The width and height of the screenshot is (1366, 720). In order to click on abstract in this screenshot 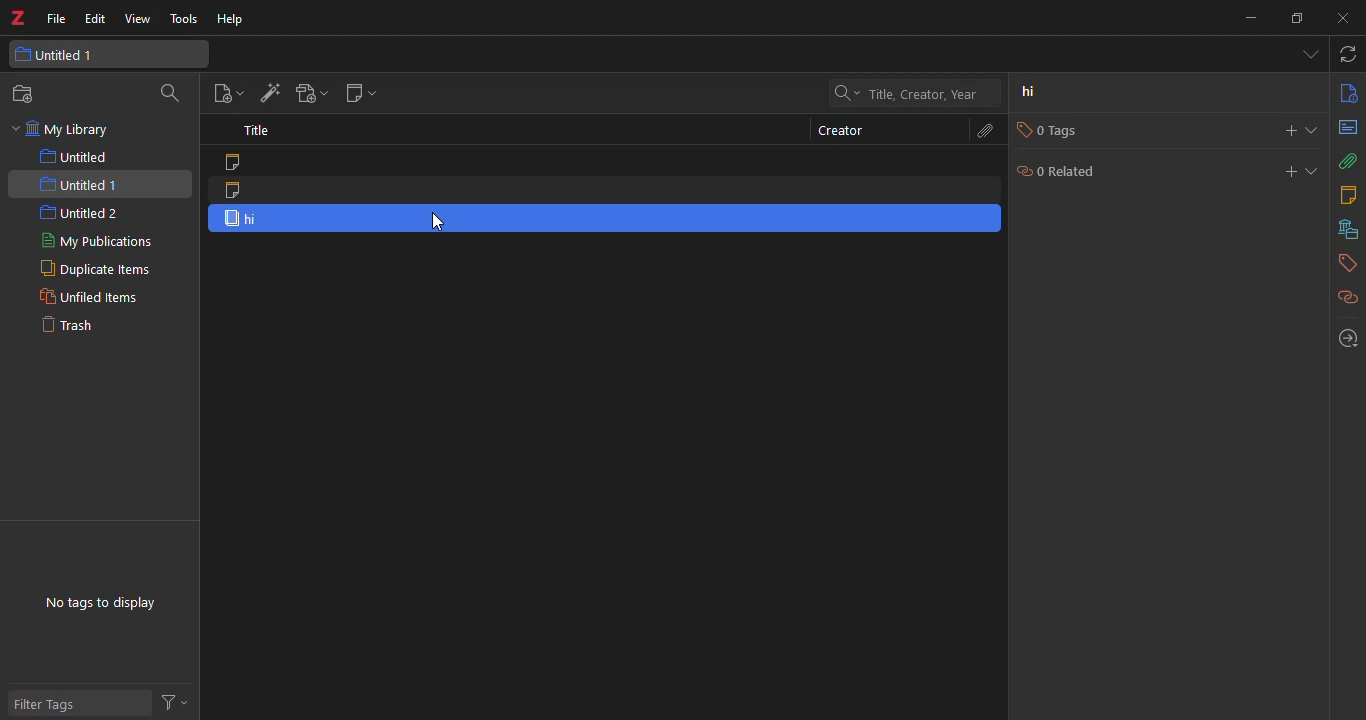, I will do `click(1348, 130)`.